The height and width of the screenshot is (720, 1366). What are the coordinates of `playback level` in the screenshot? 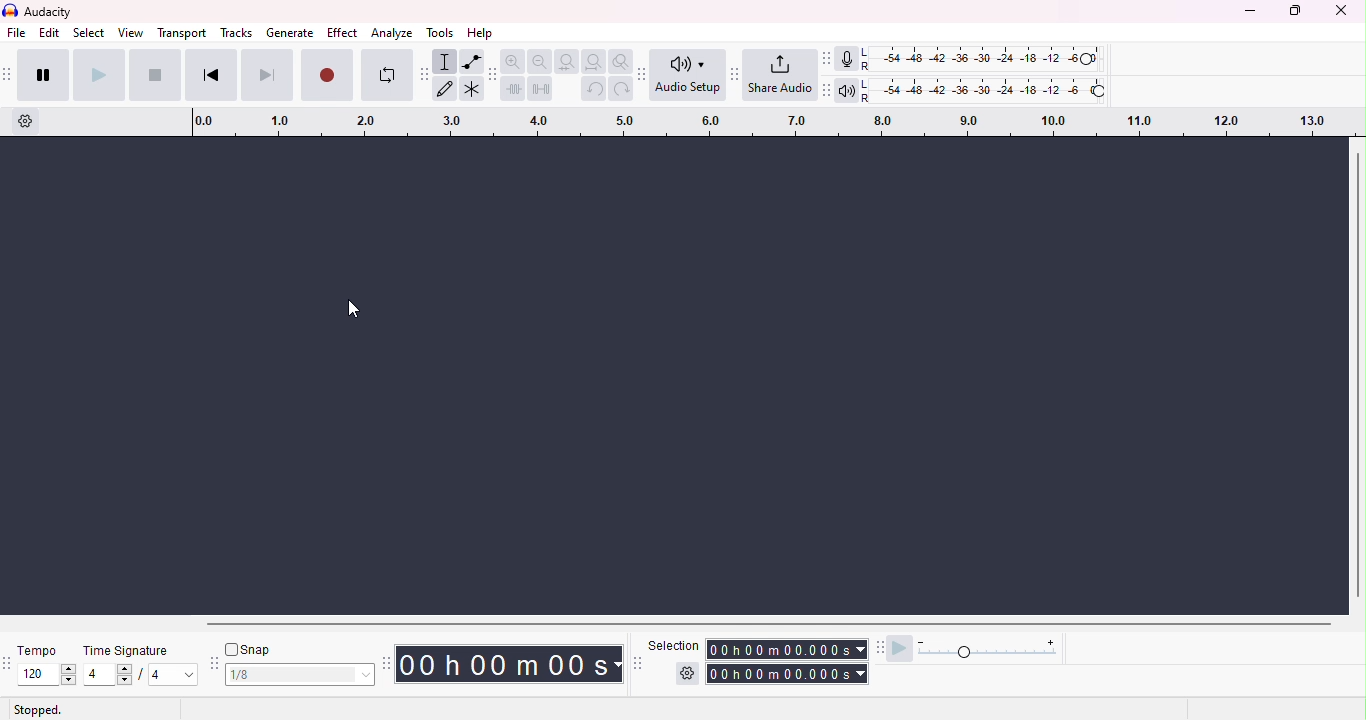 It's located at (985, 89).